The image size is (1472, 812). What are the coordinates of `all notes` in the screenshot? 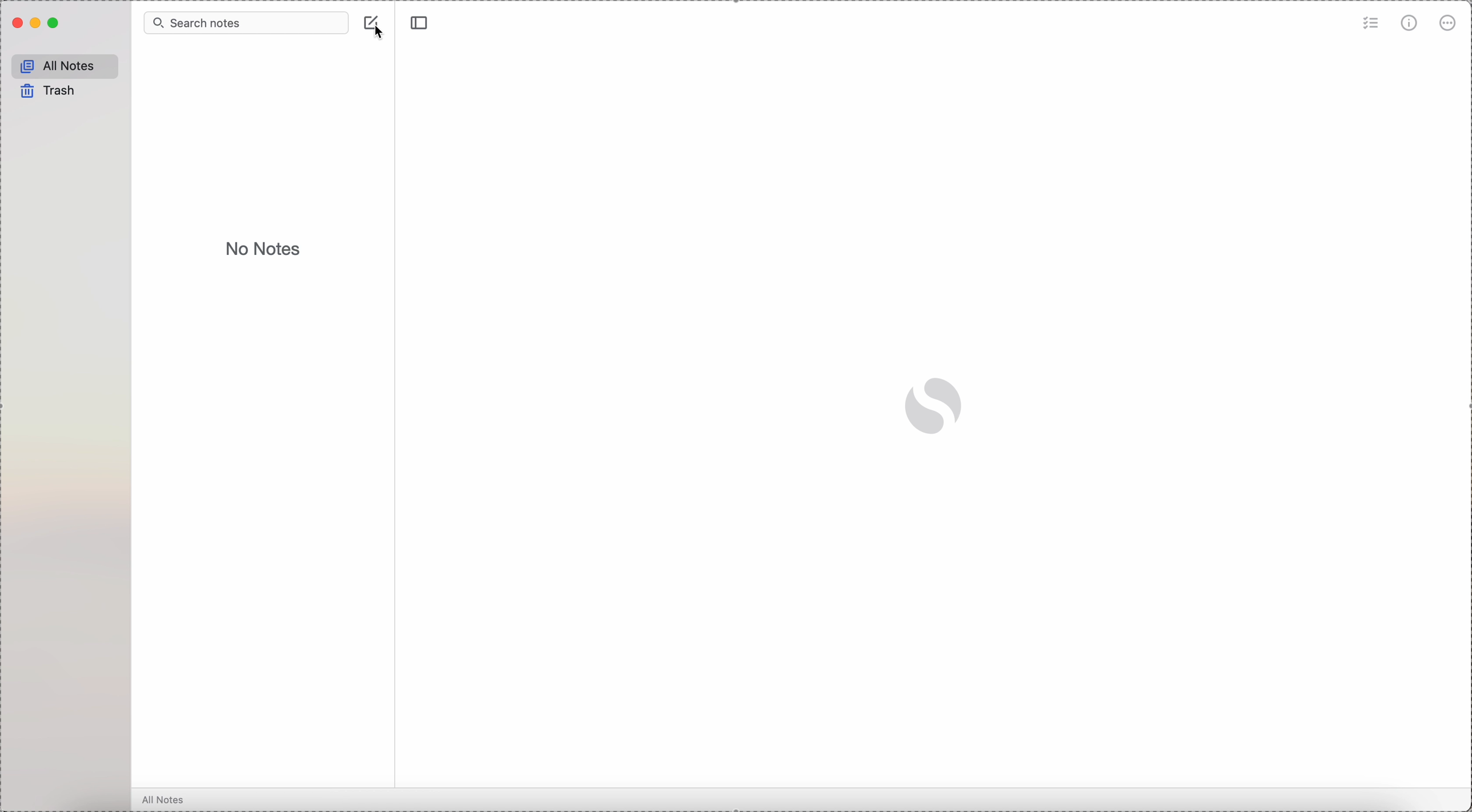 It's located at (67, 65).